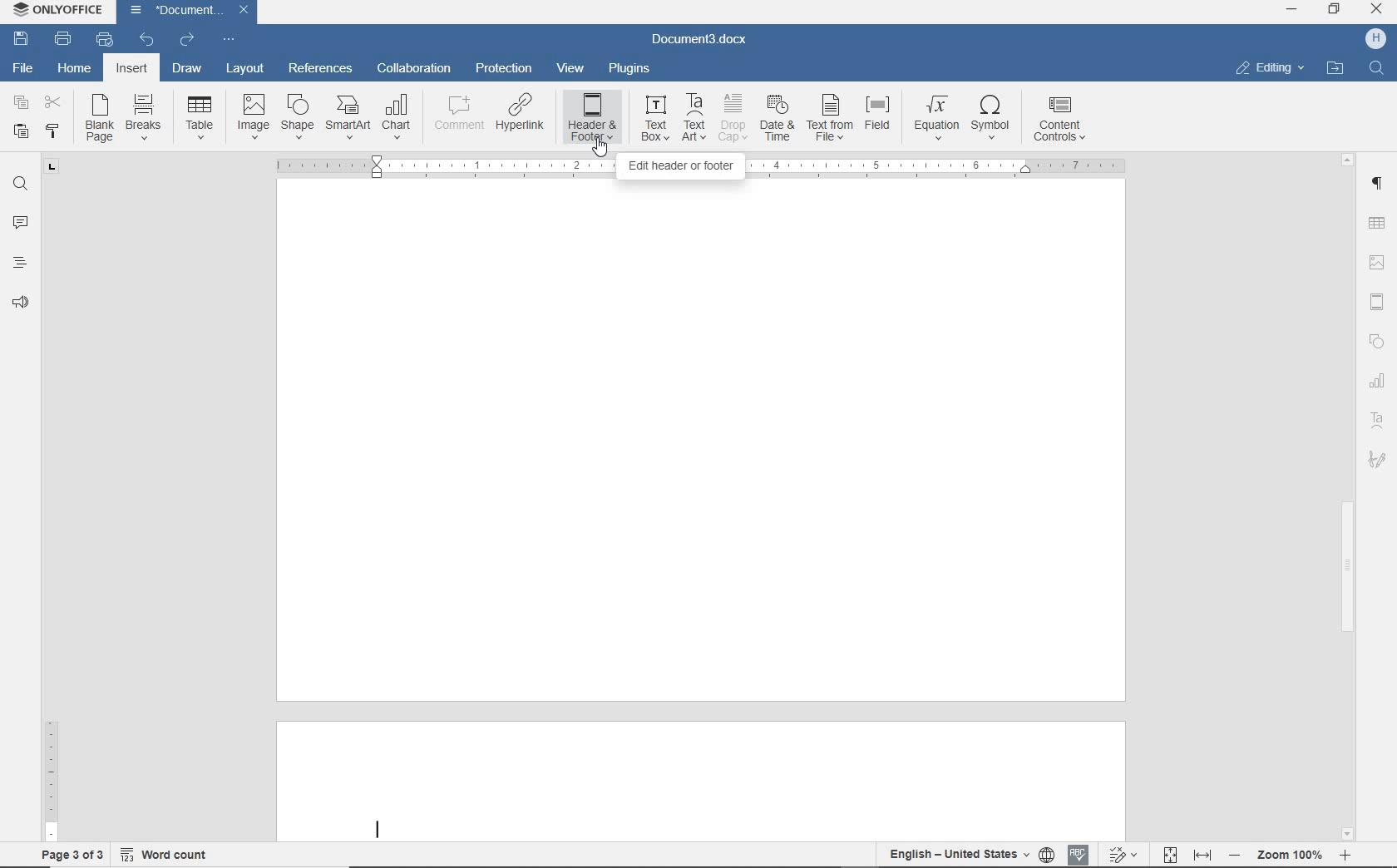 This screenshot has width=1397, height=868. I want to click on INSERT, so click(133, 71).